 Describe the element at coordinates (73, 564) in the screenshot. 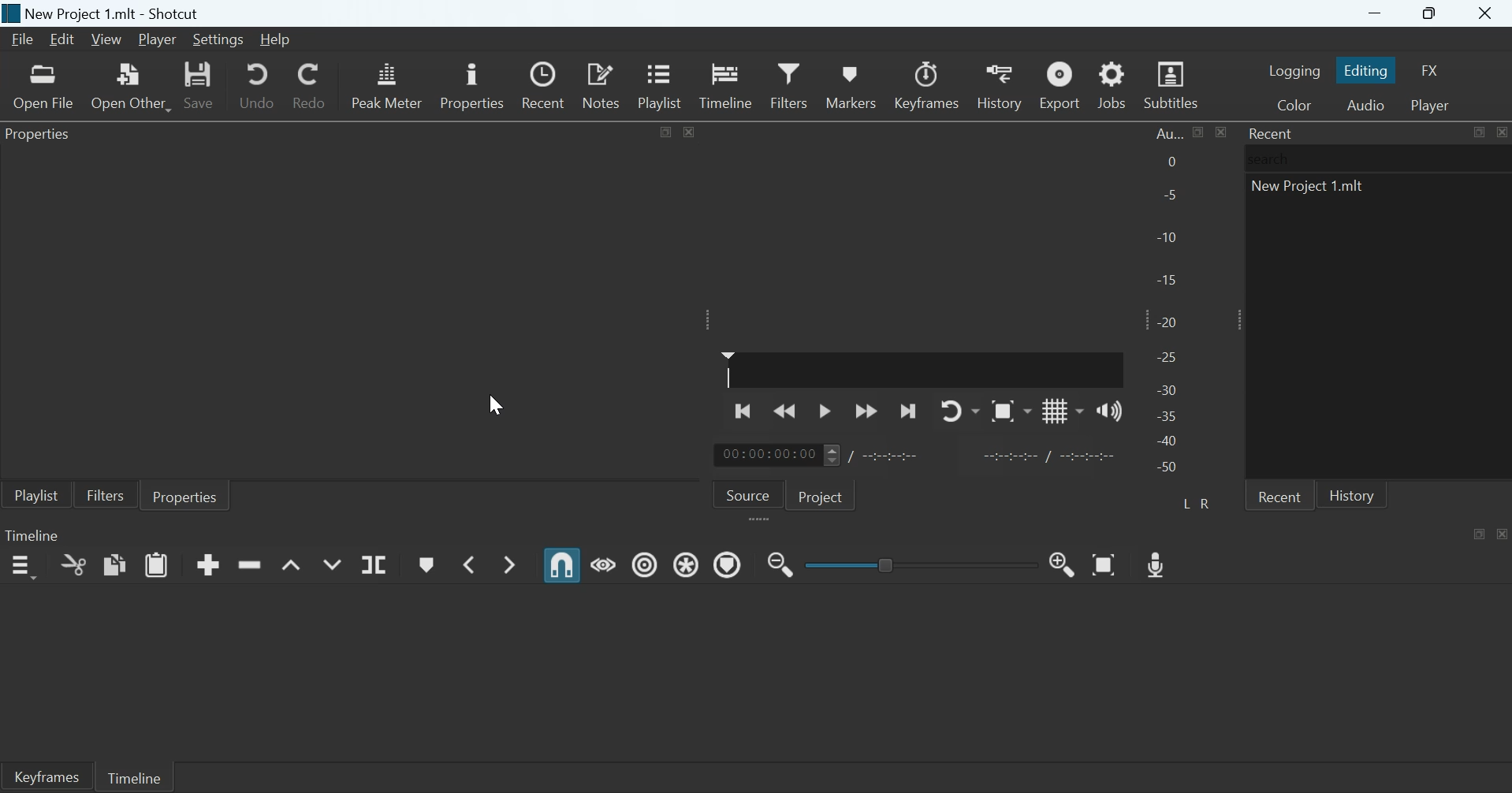

I see `Cut` at that location.